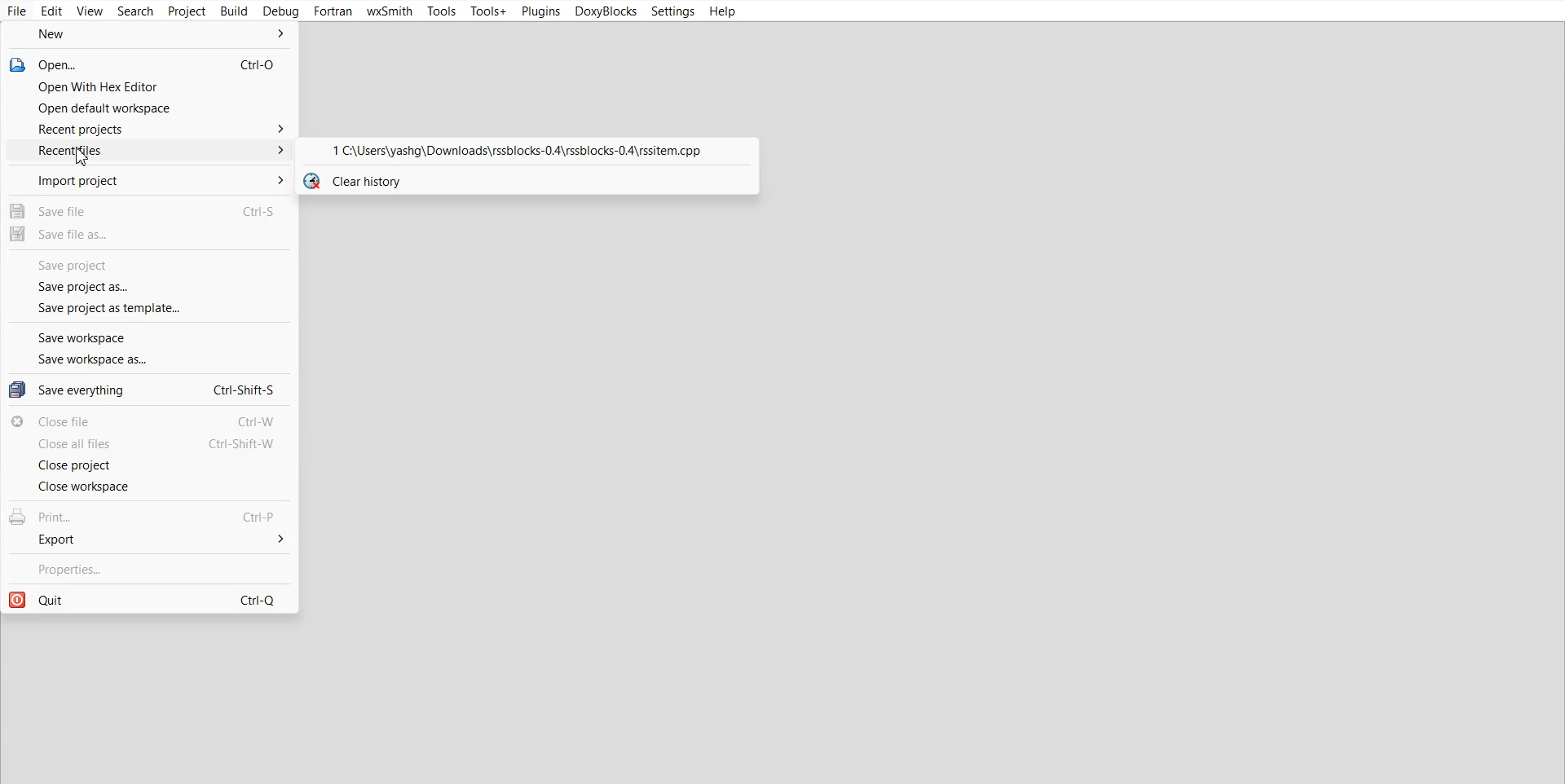  Describe the element at coordinates (148, 389) in the screenshot. I see `Save Everything` at that location.